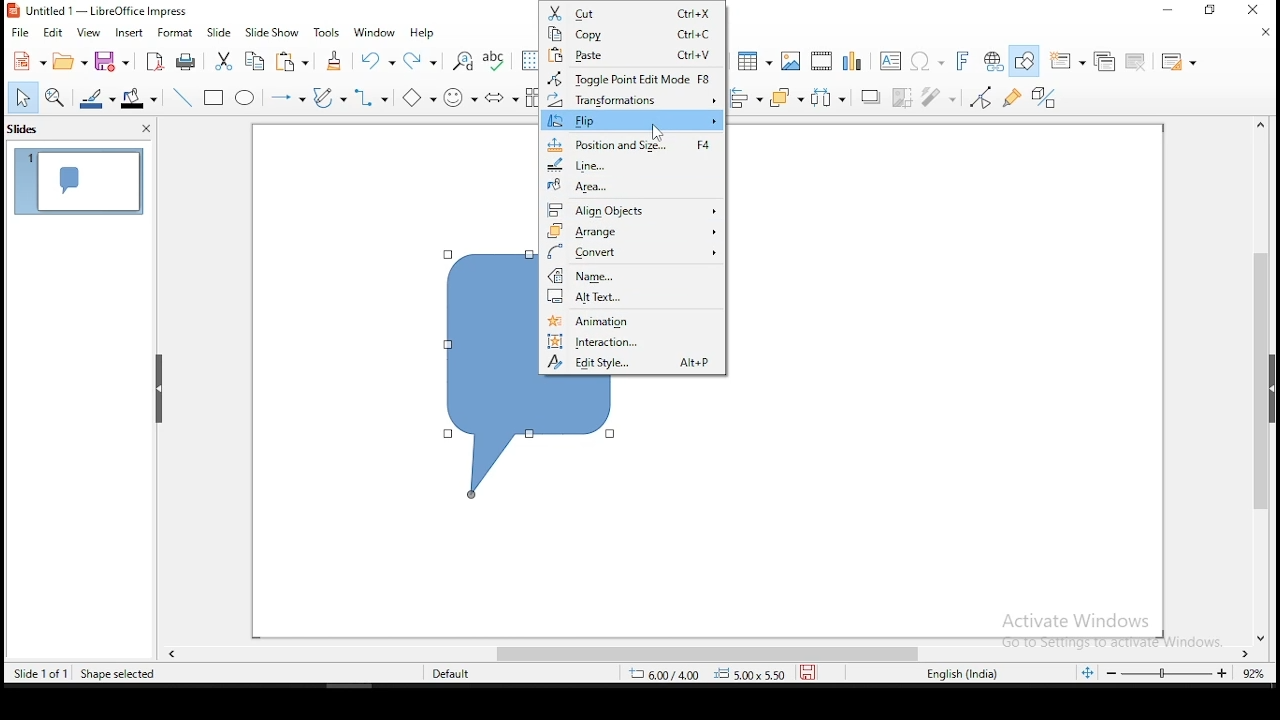  What do you see at coordinates (1026, 62) in the screenshot?
I see `show draw functions` at bounding box center [1026, 62].